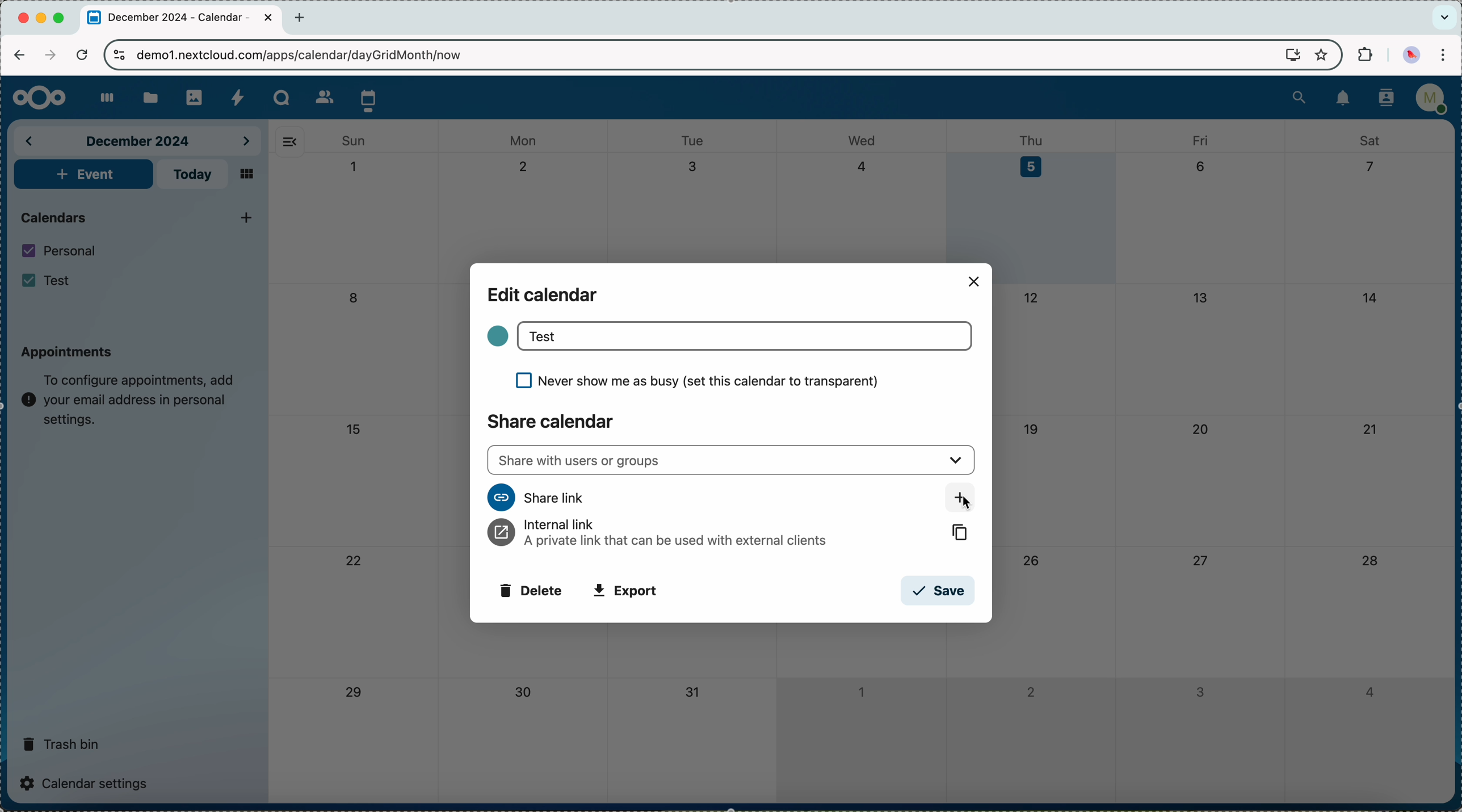 The width and height of the screenshot is (1462, 812). Describe the element at coordinates (1032, 298) in the screenshot. I see `12` at that location.